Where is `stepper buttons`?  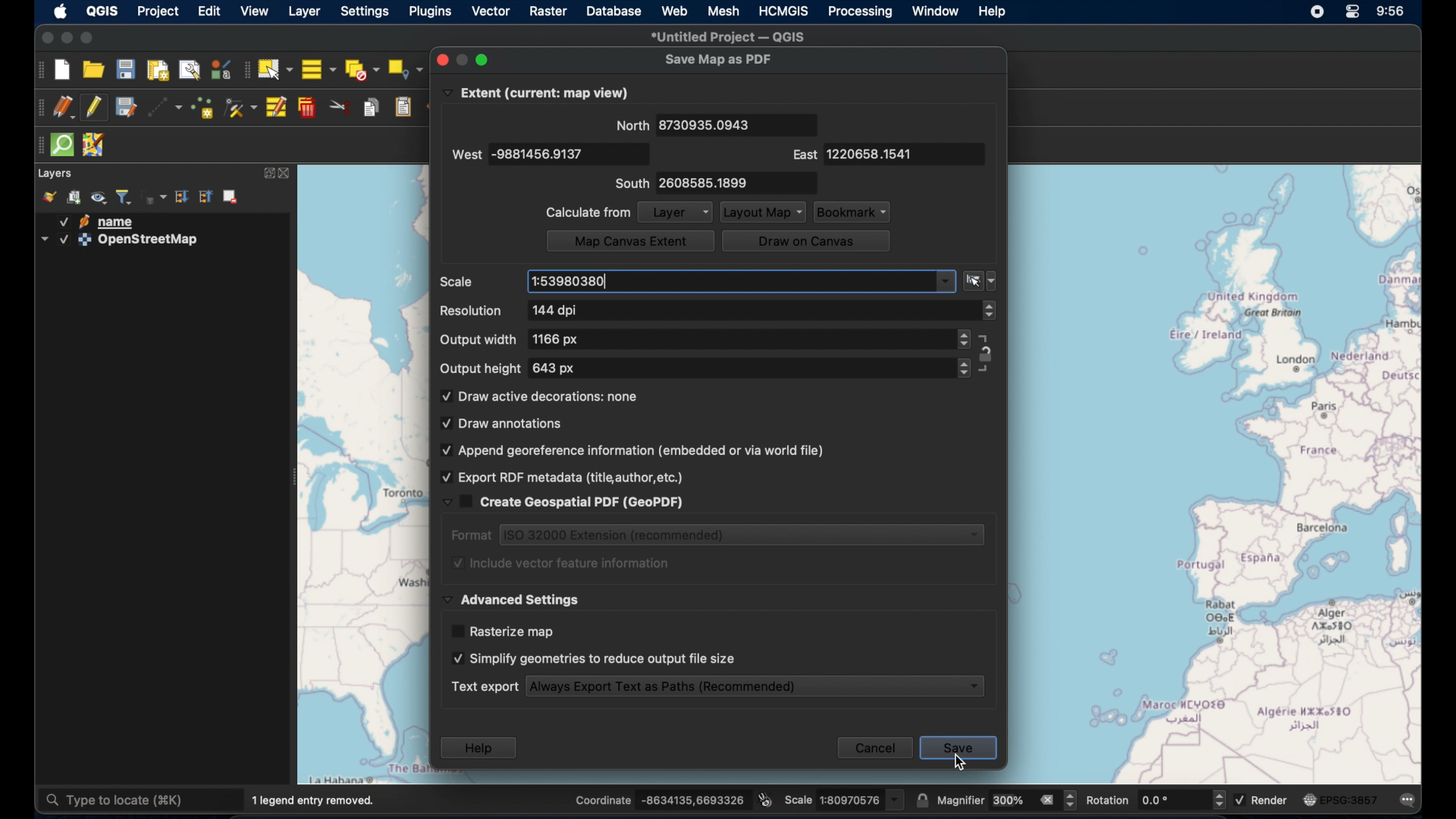 stepper buttons is located at coordinates (992, 311).